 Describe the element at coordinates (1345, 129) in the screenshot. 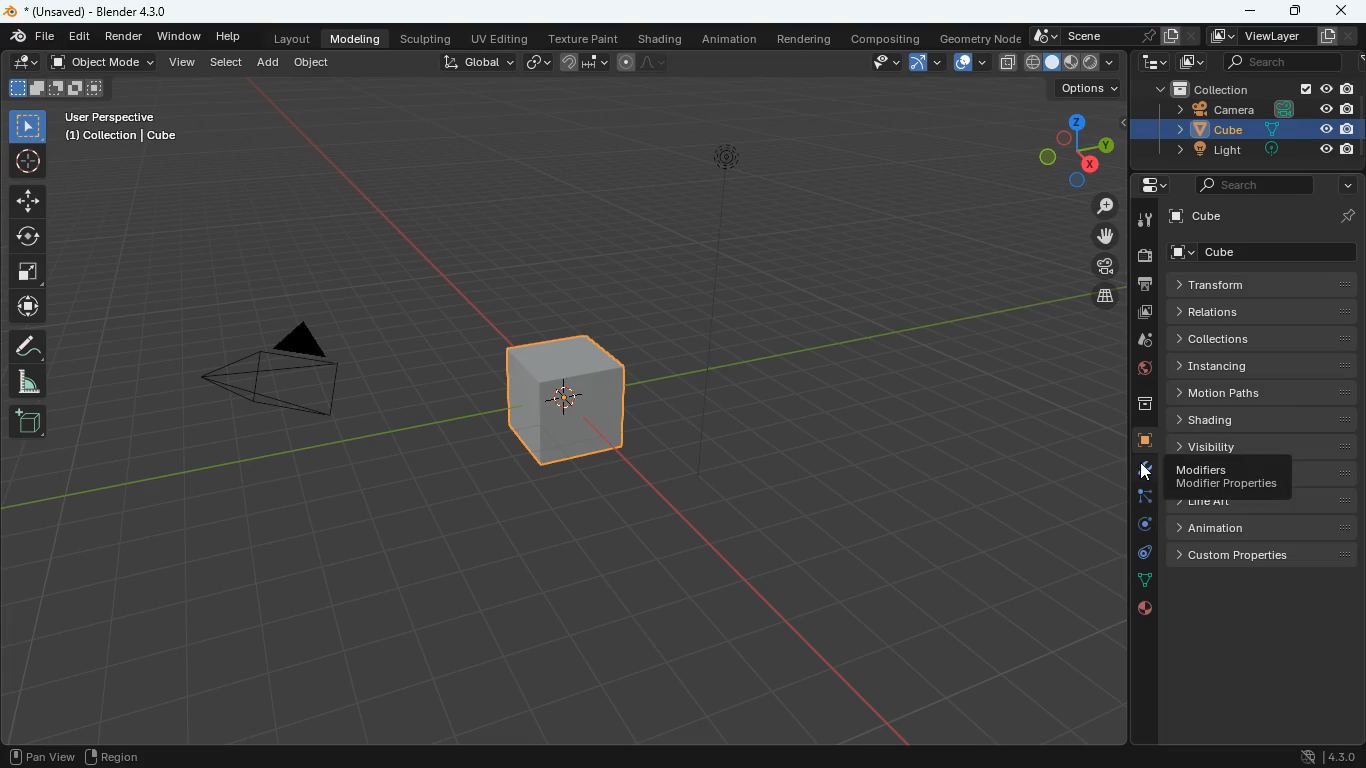

I see `` at that location.